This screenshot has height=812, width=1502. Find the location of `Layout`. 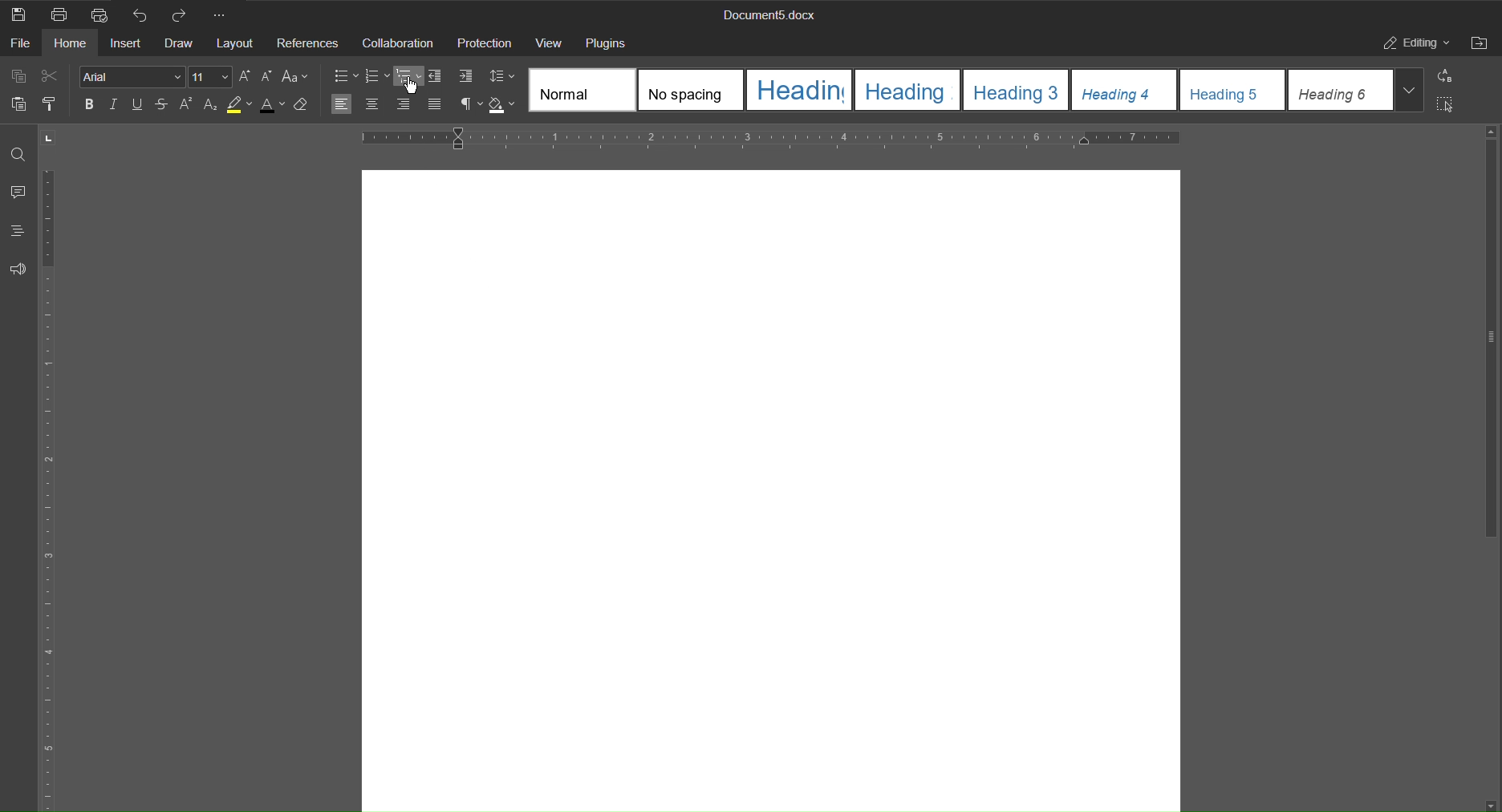

Layout is located at coordinates (239, 45).